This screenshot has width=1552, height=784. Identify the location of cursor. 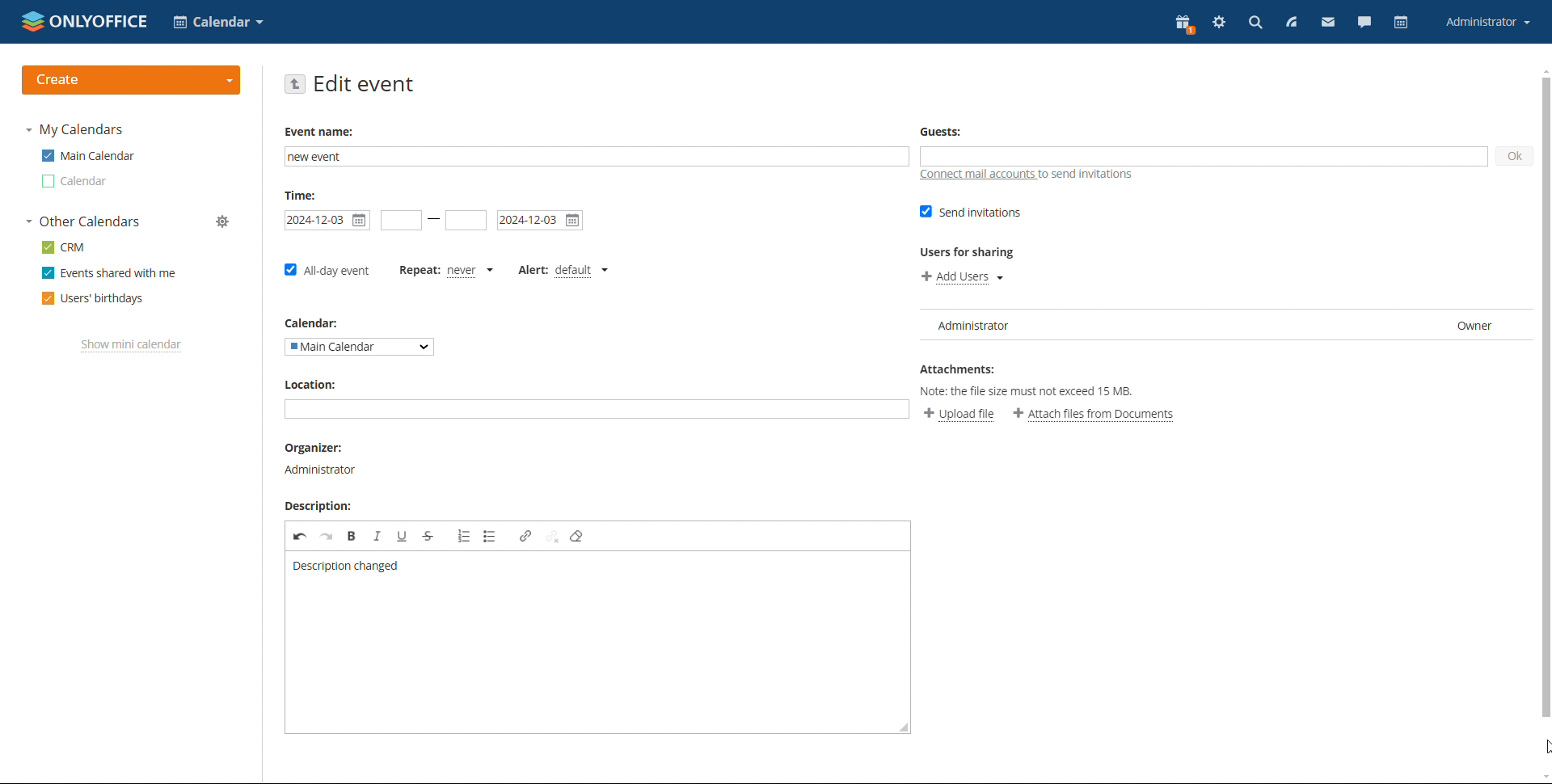
(1542, 749).